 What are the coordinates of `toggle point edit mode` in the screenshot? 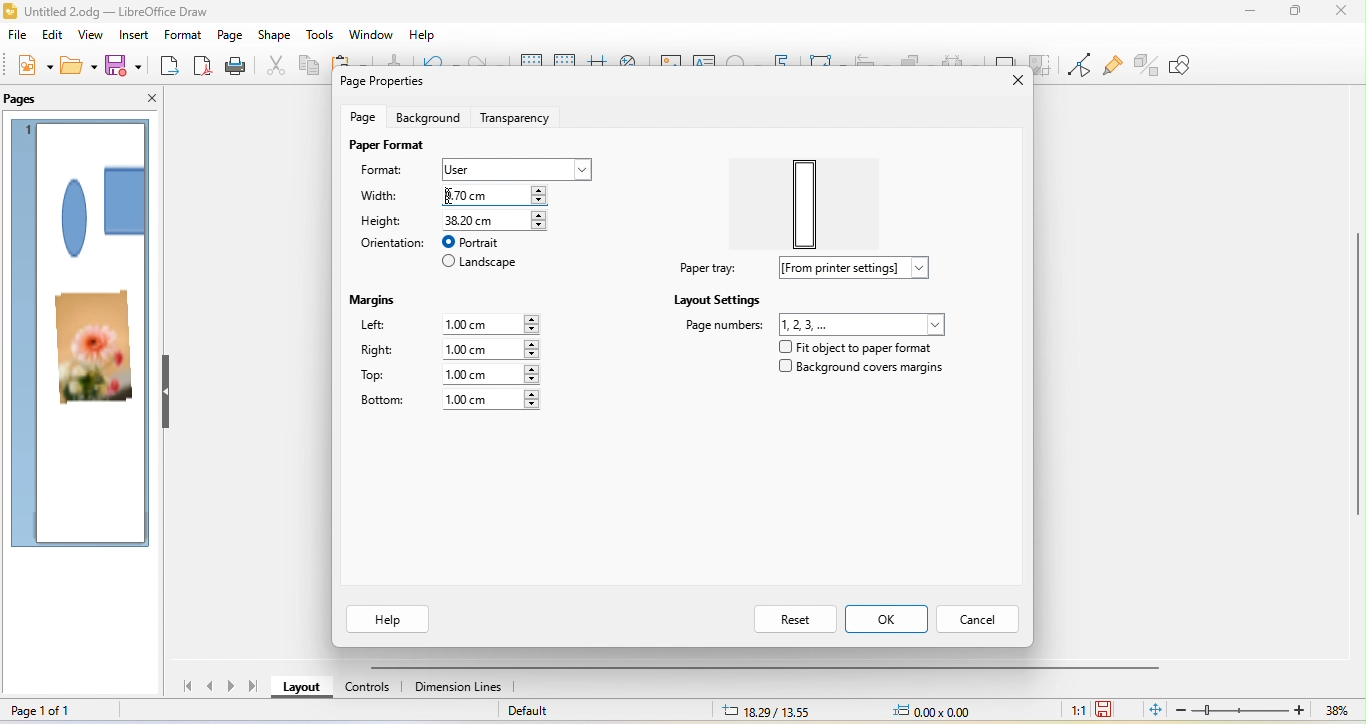 It's located at (1080, 63).